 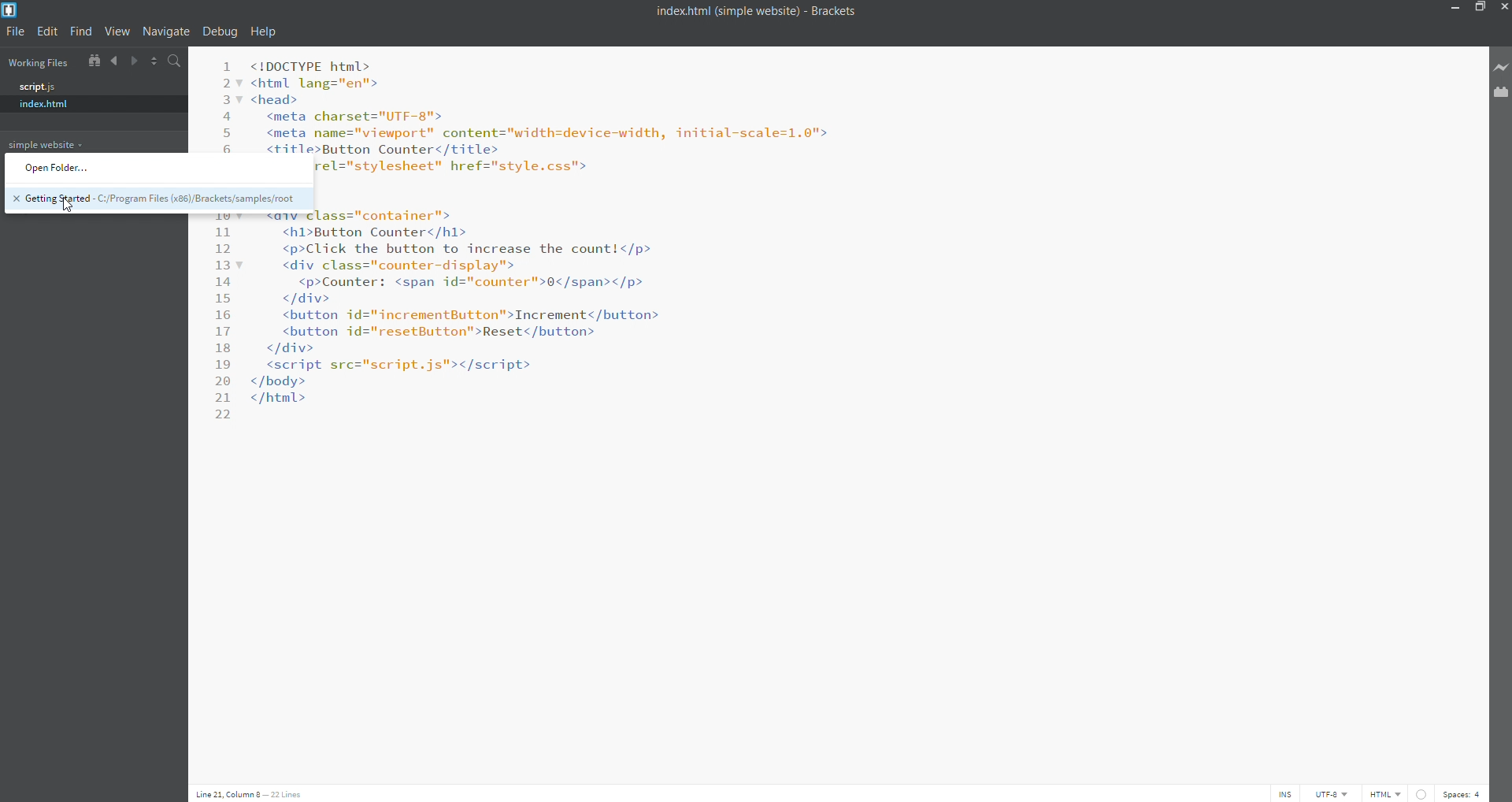 What do you see at coordinates (1424, 793) in the screenshot?
I see `linter check` at bounding box center [1424, 793].